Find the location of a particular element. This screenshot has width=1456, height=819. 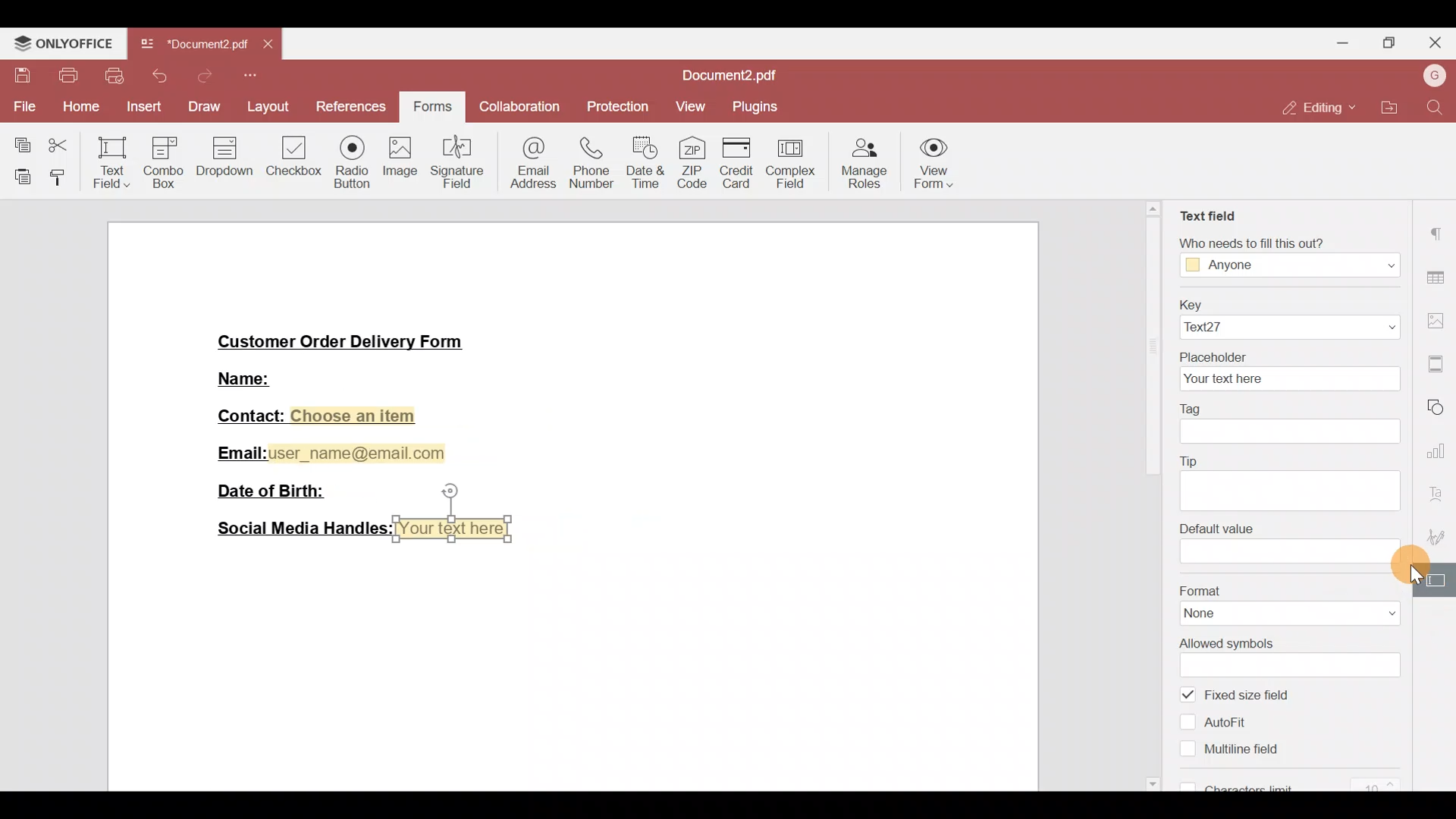

Redo is located at coordinates (202, 76).